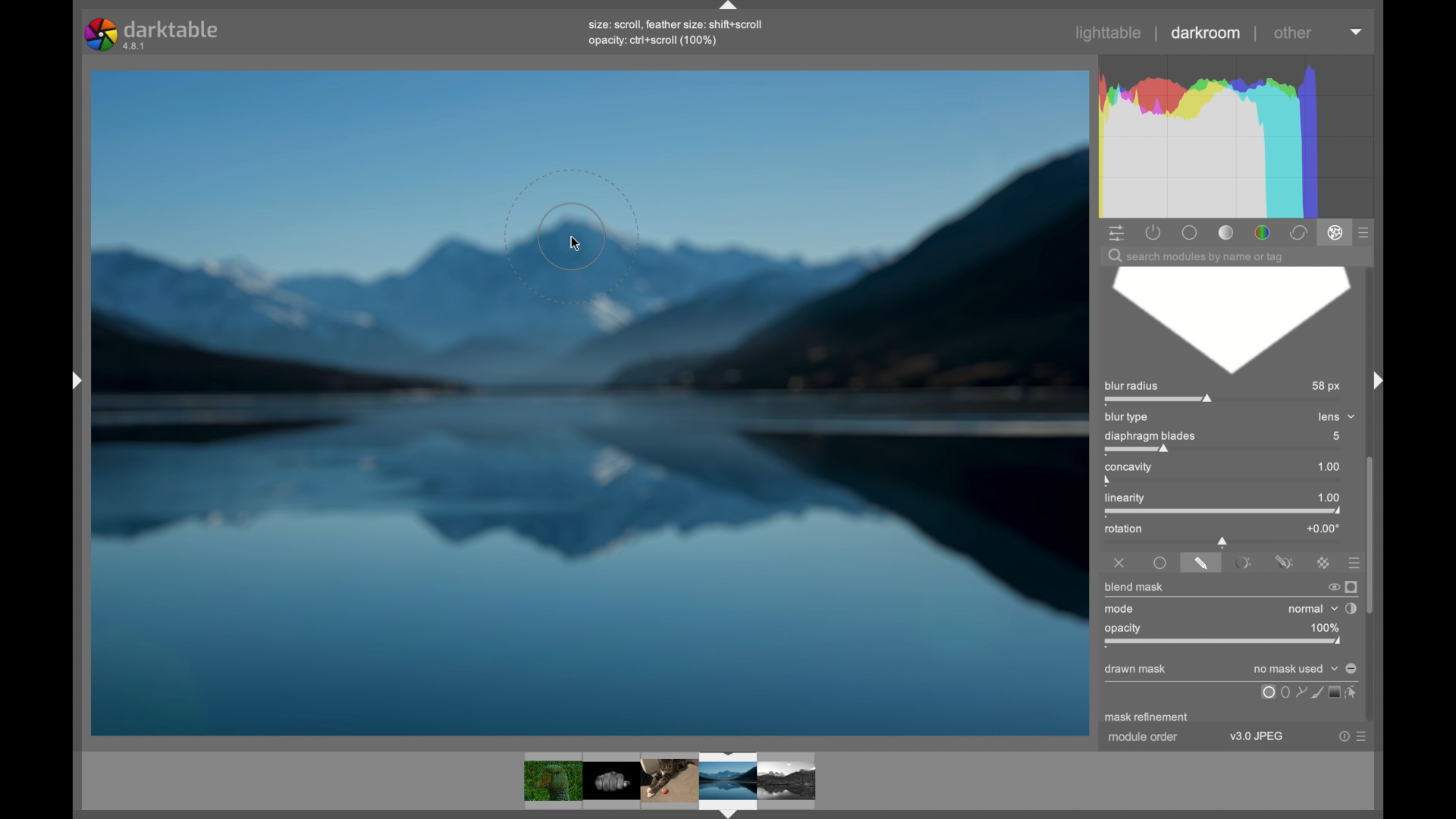 The width and height of the screenshot is (1456, 819). What do you see at coordinates (1360, 738) in the screenshot?
I see `more options` at bounding box center [1360, 738].